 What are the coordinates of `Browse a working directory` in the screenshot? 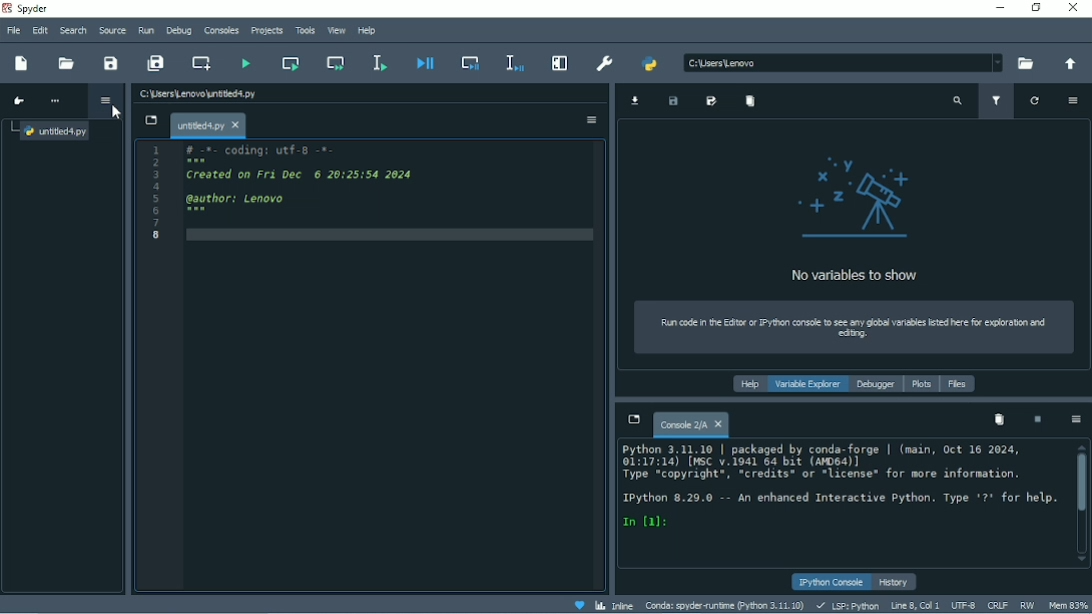 It's located at (1027, 63).